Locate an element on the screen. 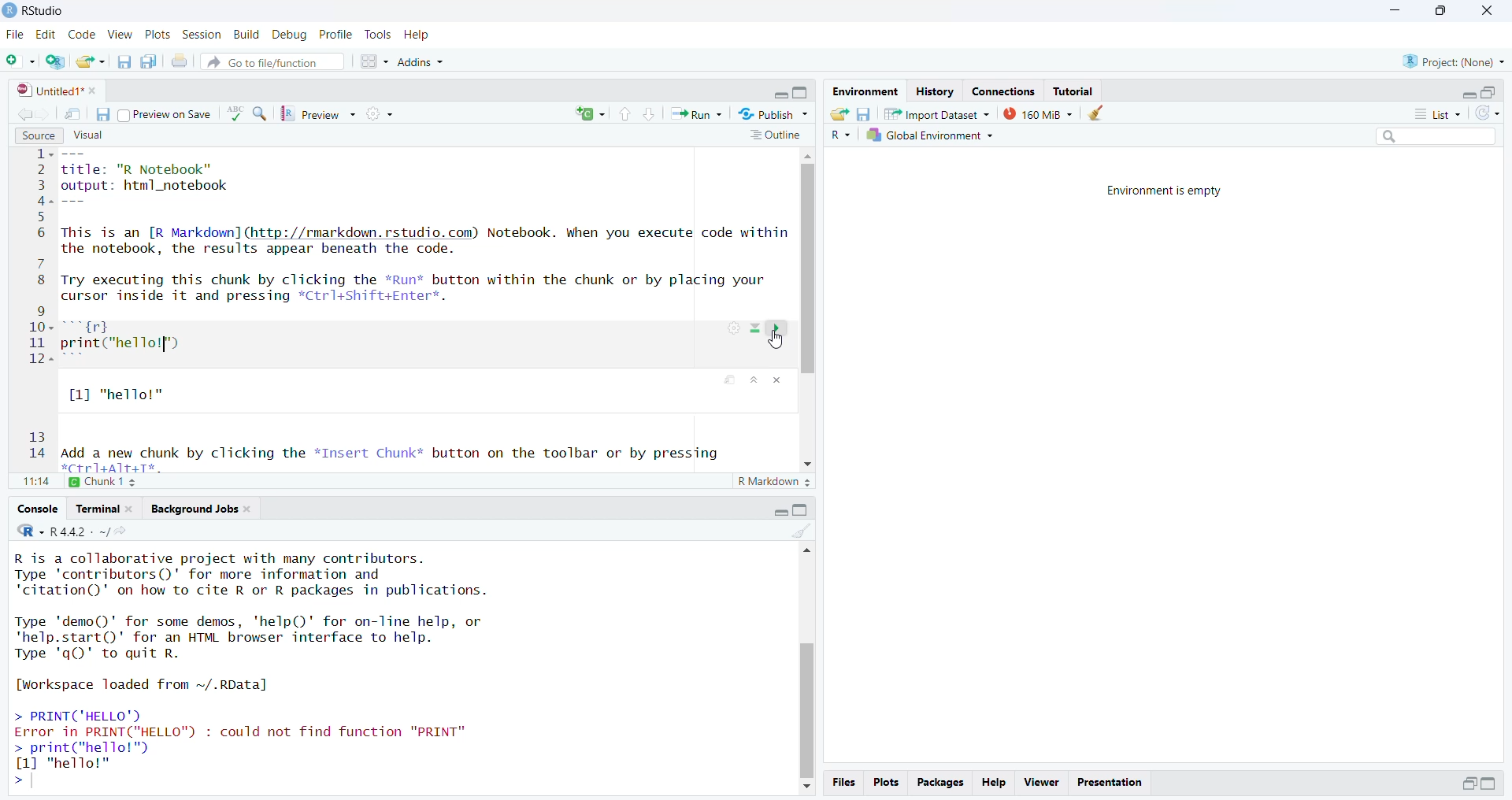  run is located at coordinates (697, 114).